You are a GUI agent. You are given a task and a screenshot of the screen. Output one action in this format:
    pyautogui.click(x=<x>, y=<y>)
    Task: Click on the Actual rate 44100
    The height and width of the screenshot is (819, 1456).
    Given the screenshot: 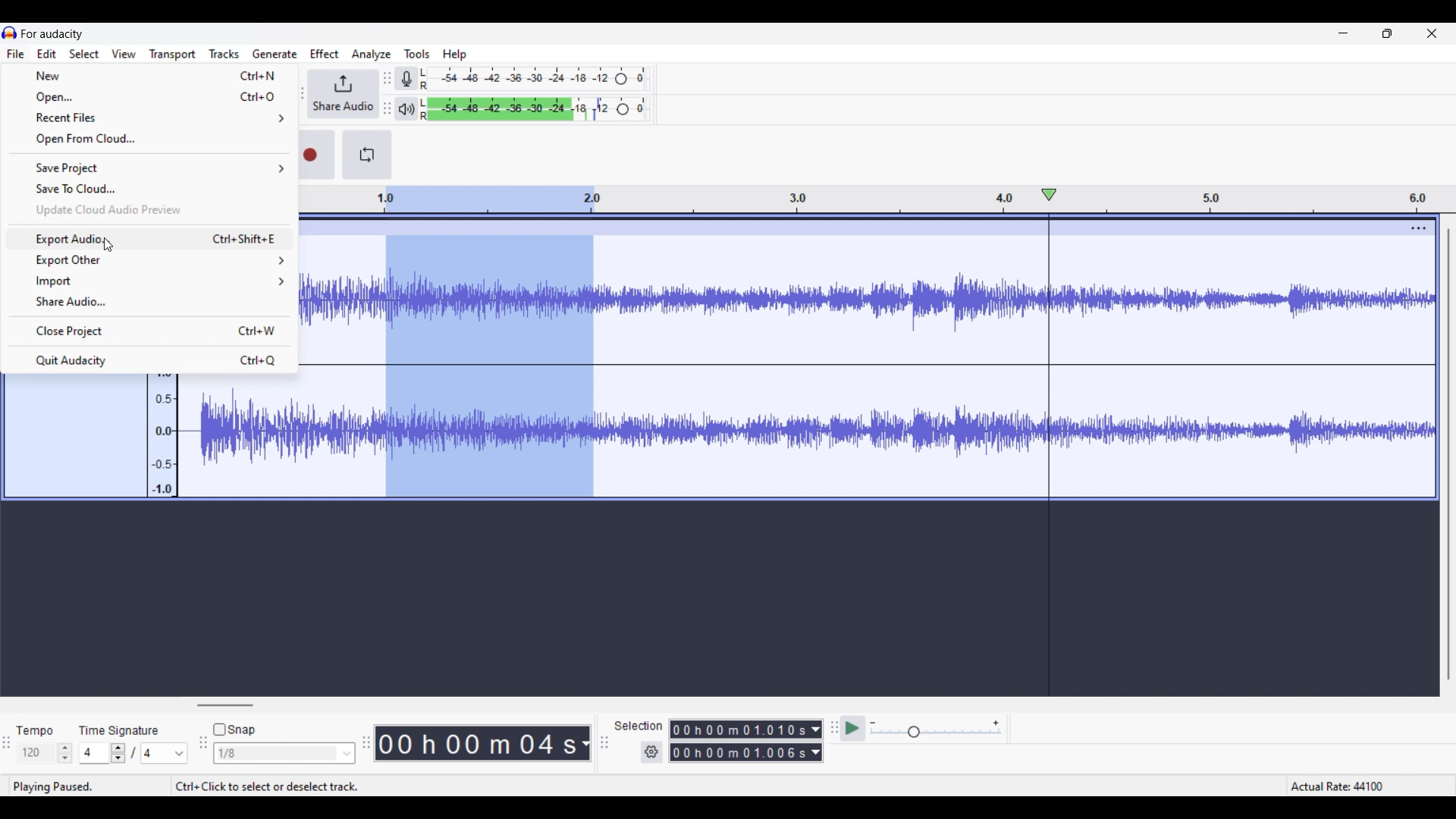 What is the action you would take?
    pyautogui.click(x=1351, y=783)
    